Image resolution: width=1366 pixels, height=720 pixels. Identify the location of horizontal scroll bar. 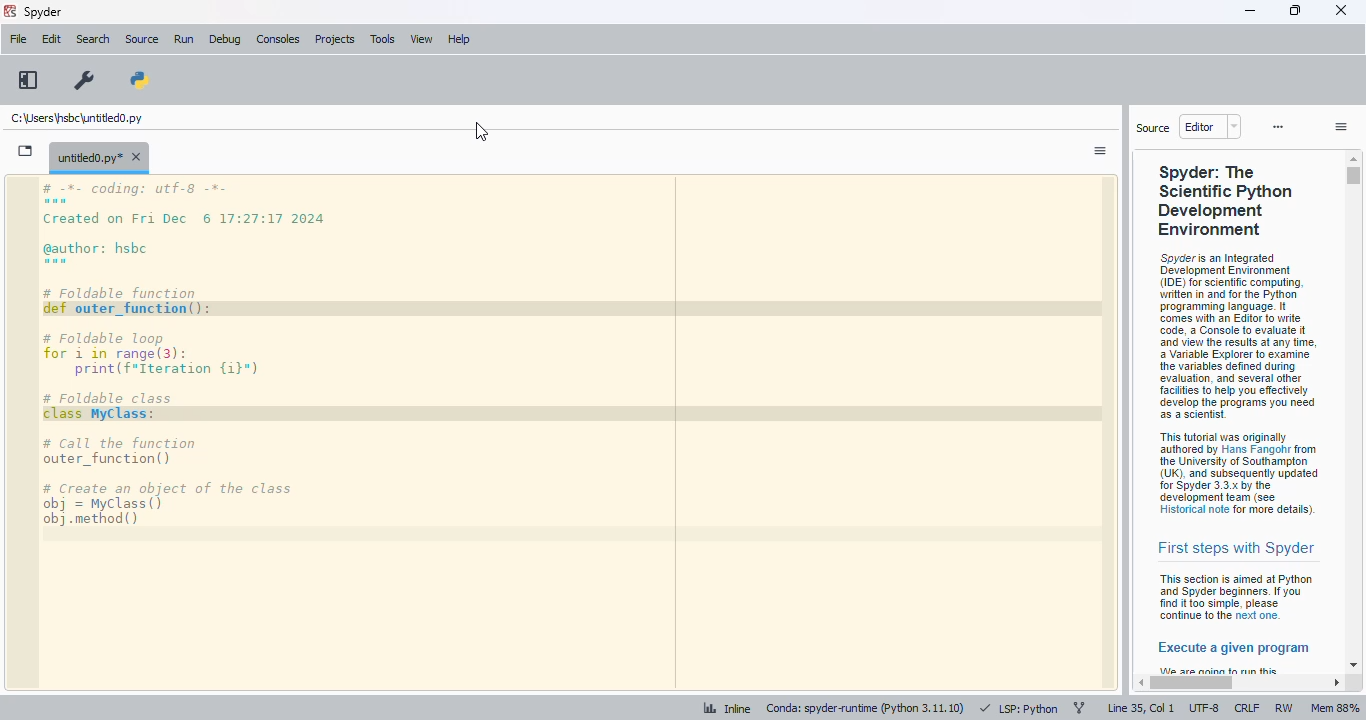
(1194, 682).